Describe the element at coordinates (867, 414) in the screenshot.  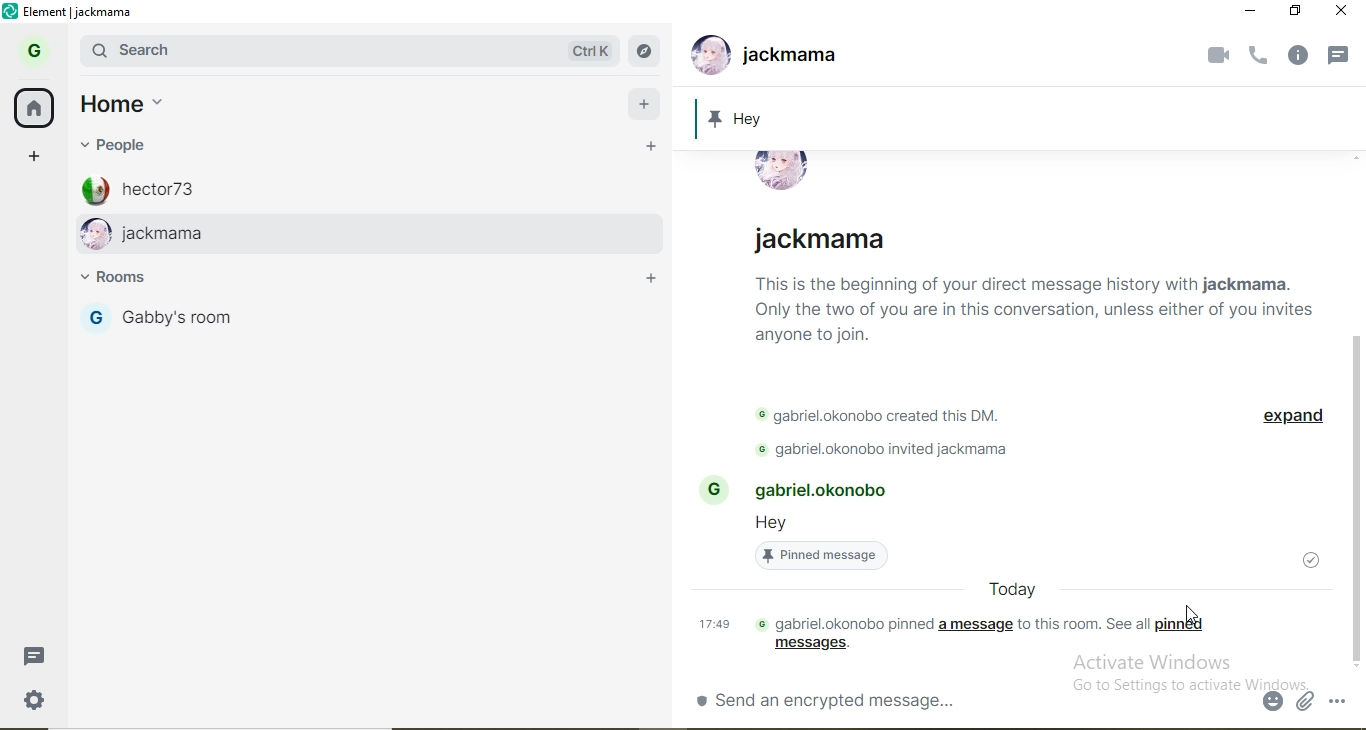
I see `` at that location.